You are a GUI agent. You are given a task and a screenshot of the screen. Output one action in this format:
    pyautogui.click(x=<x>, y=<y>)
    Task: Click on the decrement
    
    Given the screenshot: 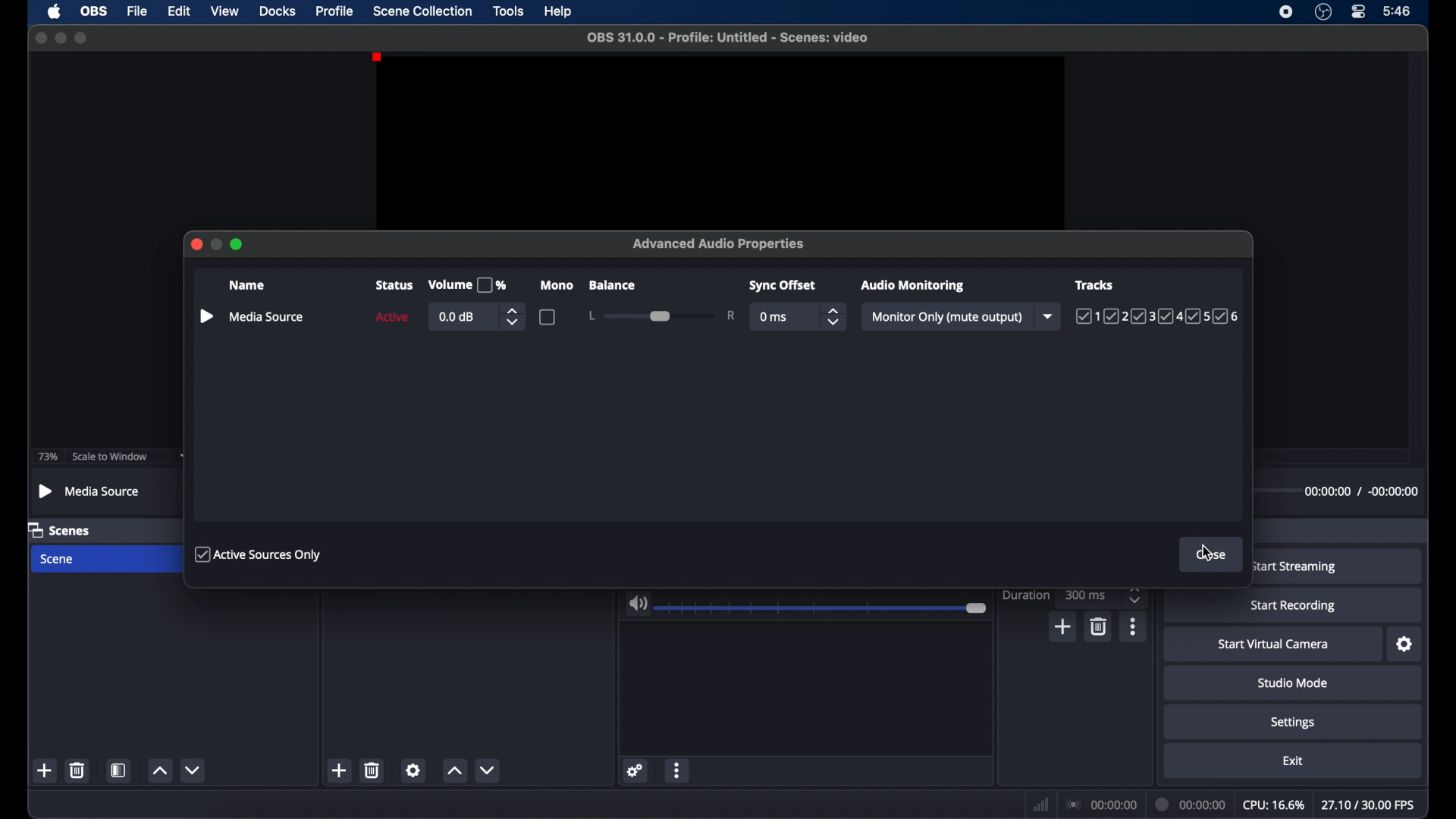 What is the action you would take?
    pyautogui.click(x=193, y=770)
    